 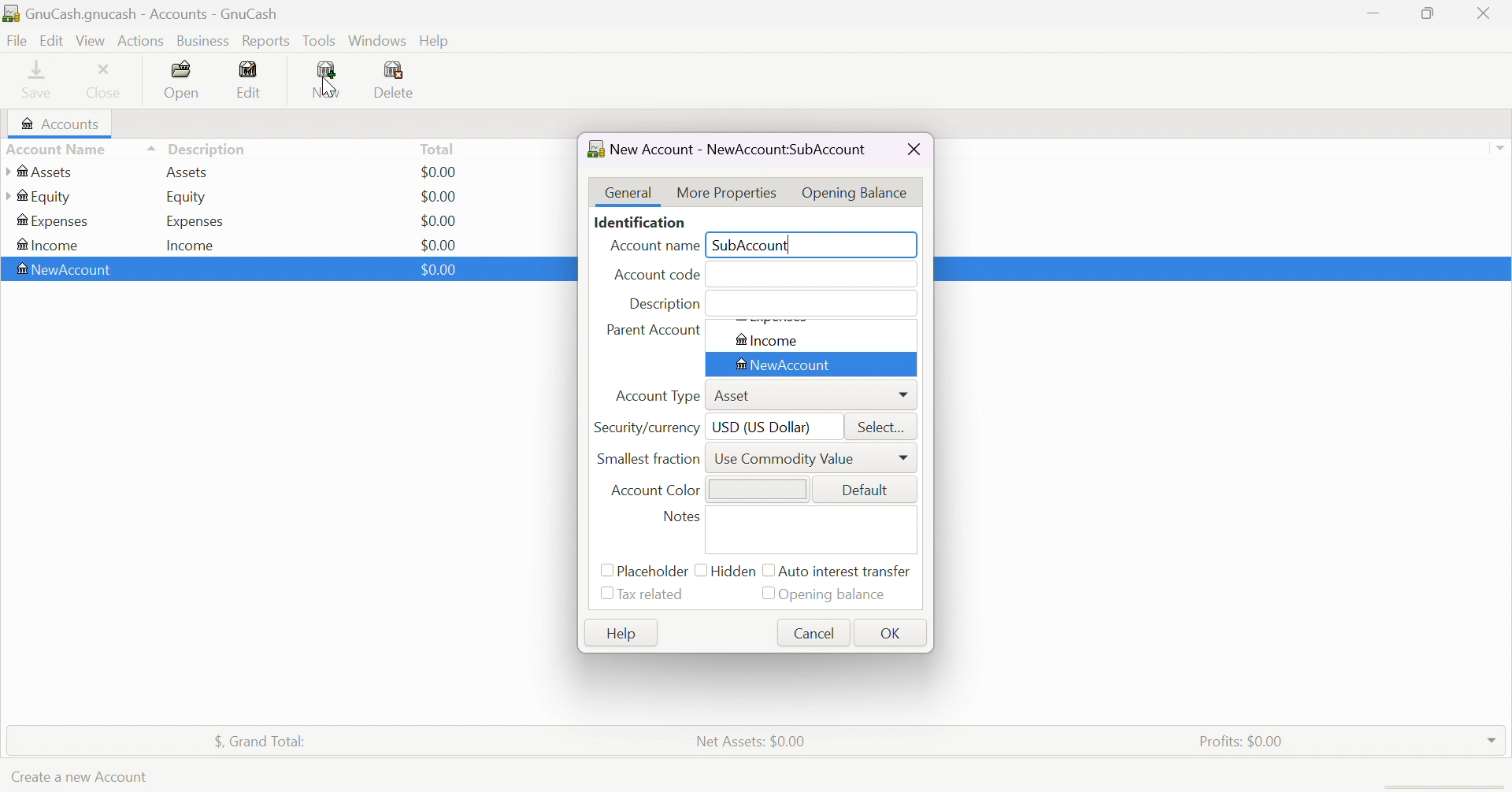 I want to click on More Properties, so click(x=725, y=194).